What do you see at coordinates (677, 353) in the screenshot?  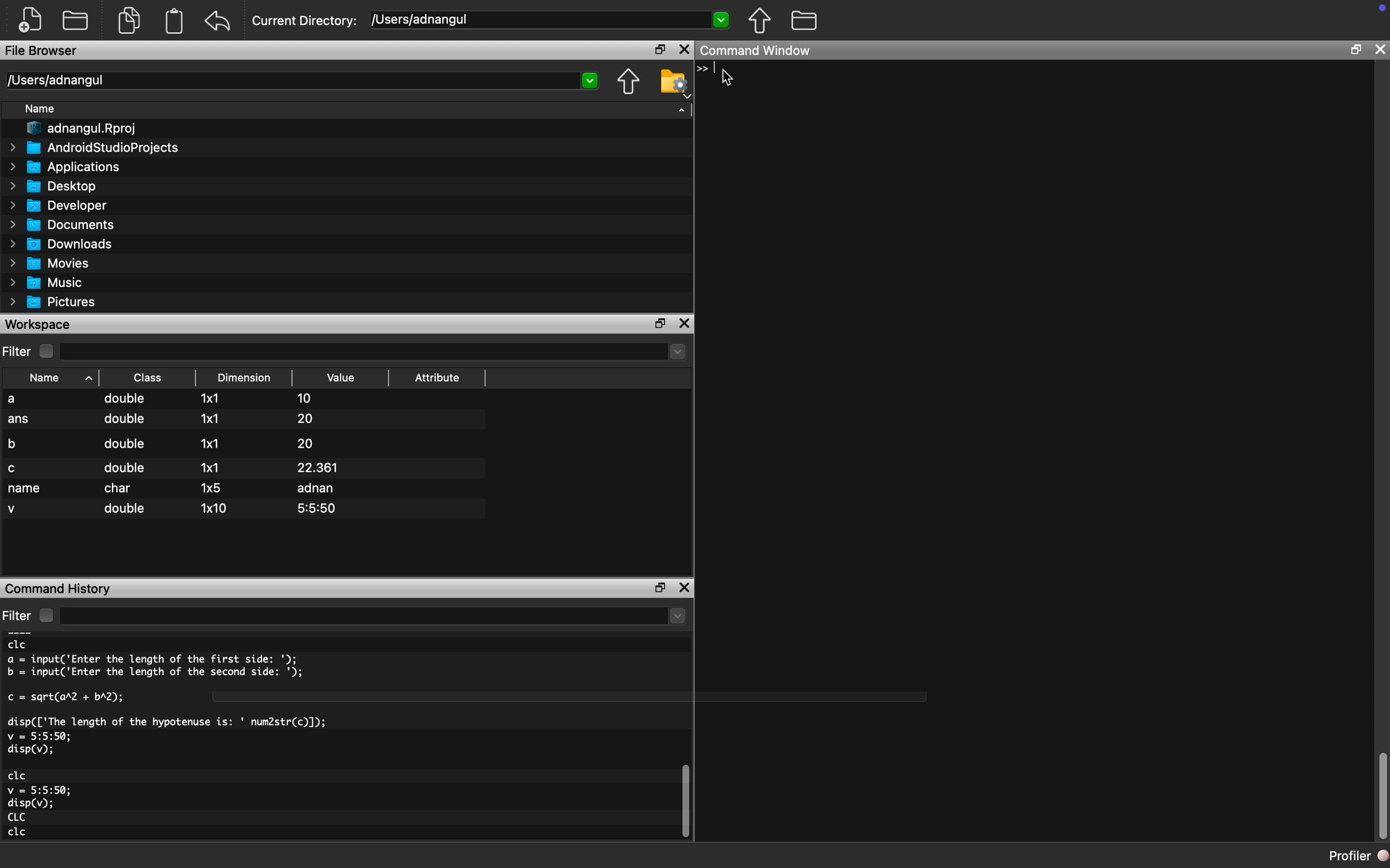 I see `Dropdown` at bounding box center [677, 353].